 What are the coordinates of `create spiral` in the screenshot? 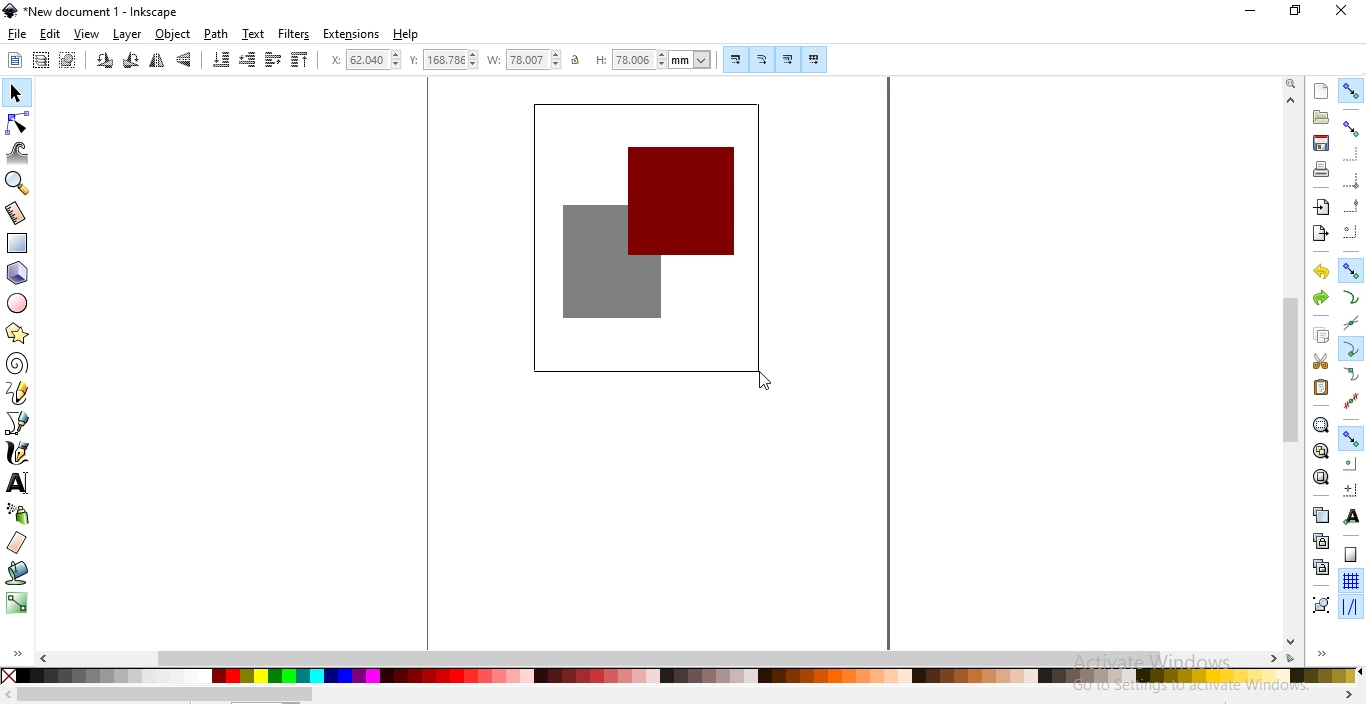 It's located at (16, 362).